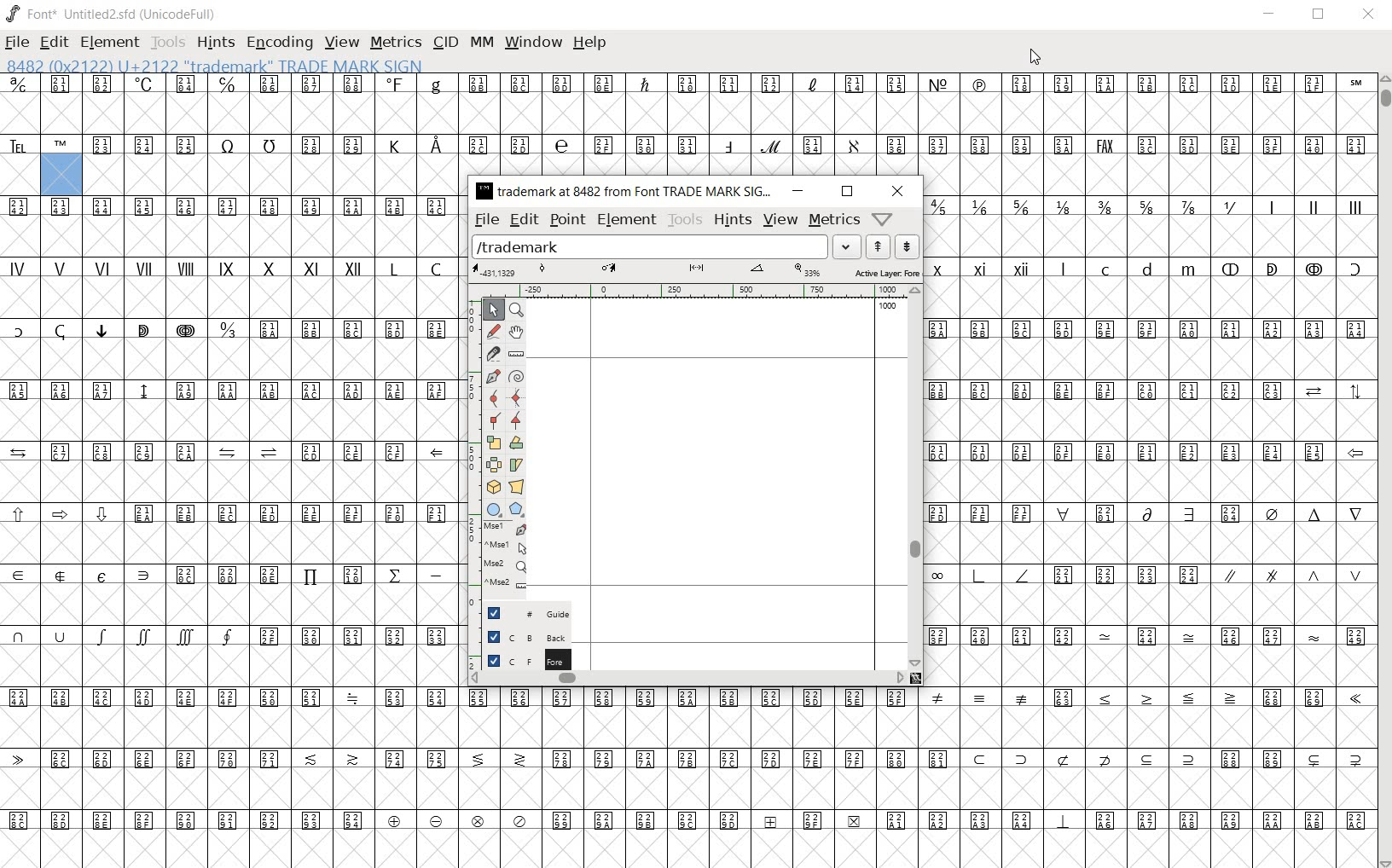 The image size is (1392, 868). Describe the element at coordinates (515, 310) in the screenshot. I see `magnify` at that location.